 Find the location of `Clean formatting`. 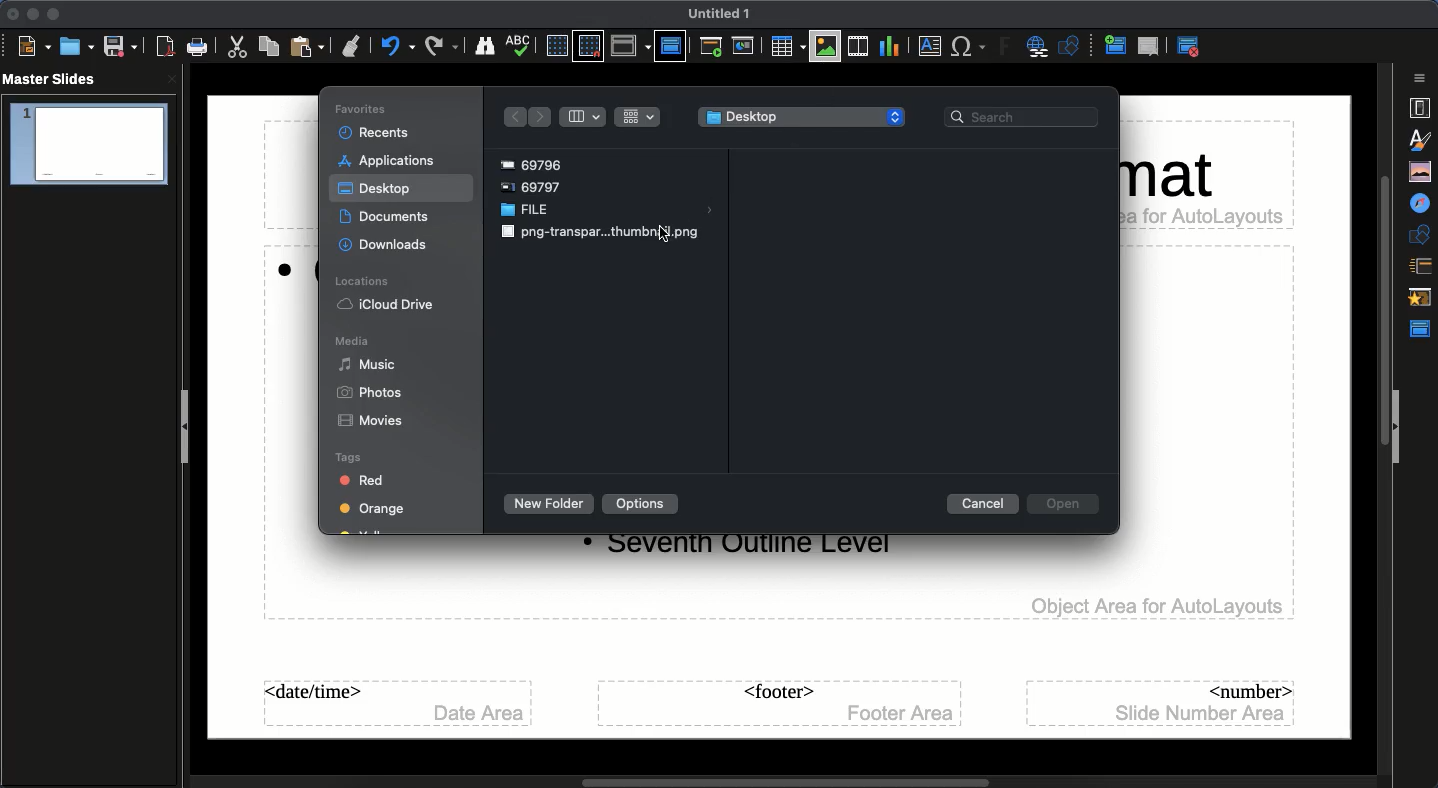

Clean formatting is located at coordinates (351, 46).